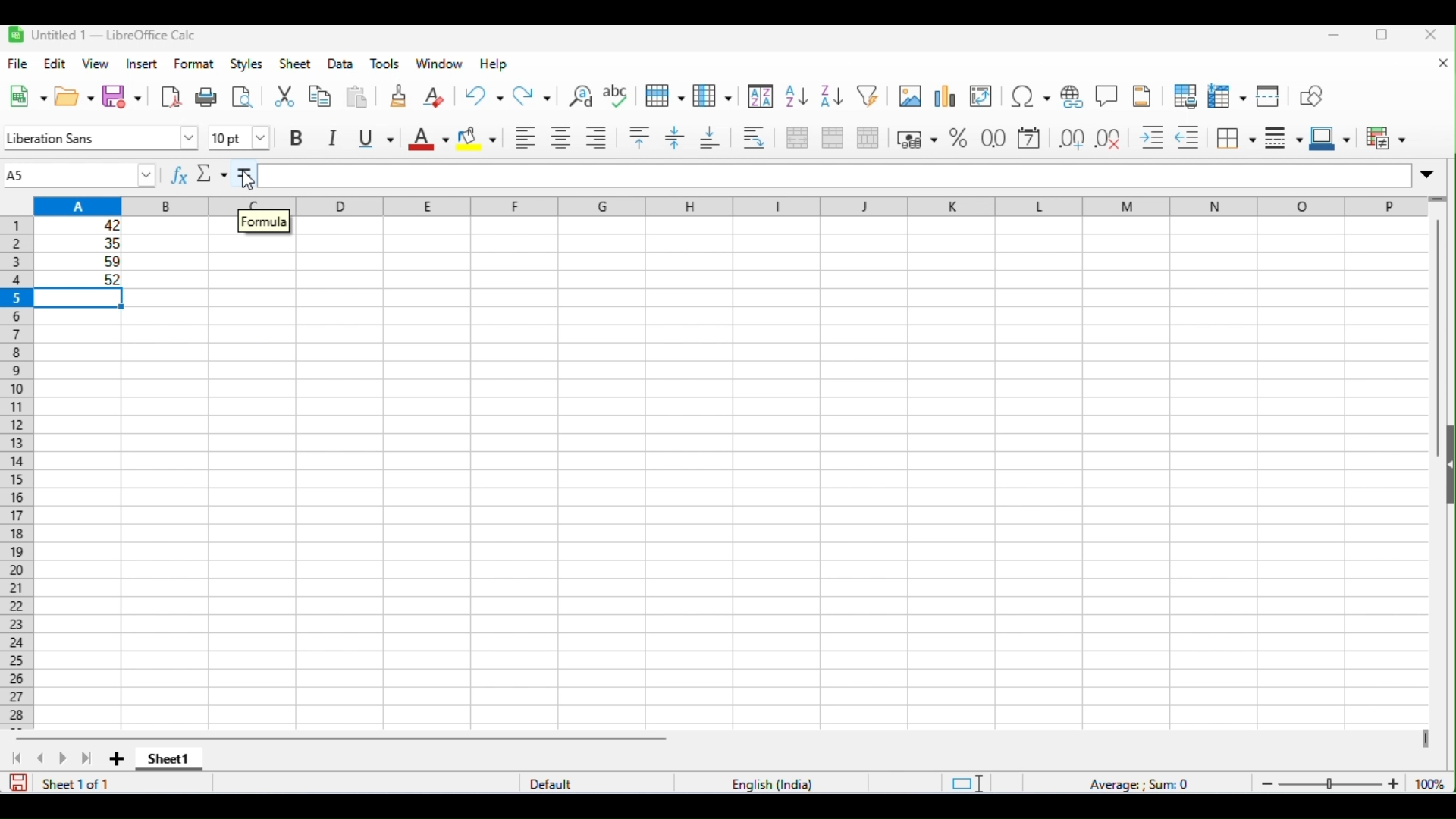 This screenshot has width=1456, height=819. What do you see at coordinates (74, 97) in the screenshot?
I see `open` at bounding box center [74, 97].